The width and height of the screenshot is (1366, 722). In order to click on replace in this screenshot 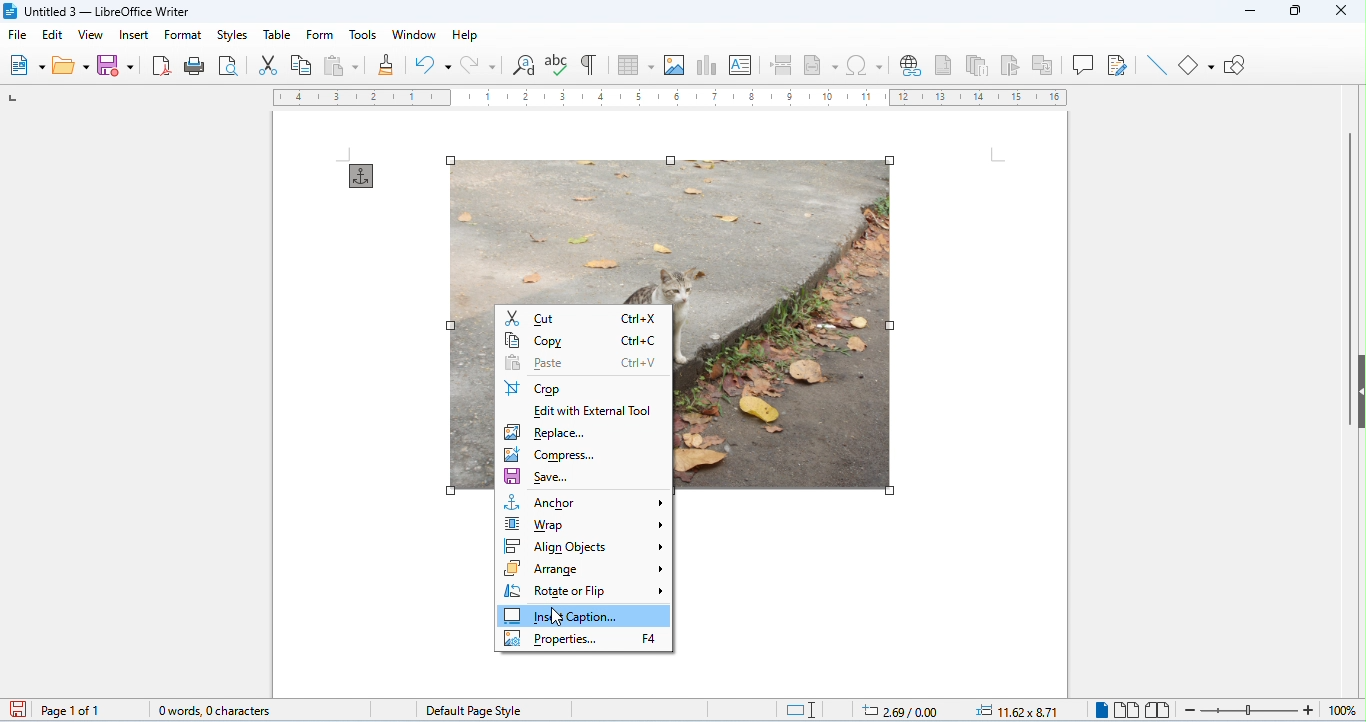, I will do `click(547, 433)`.